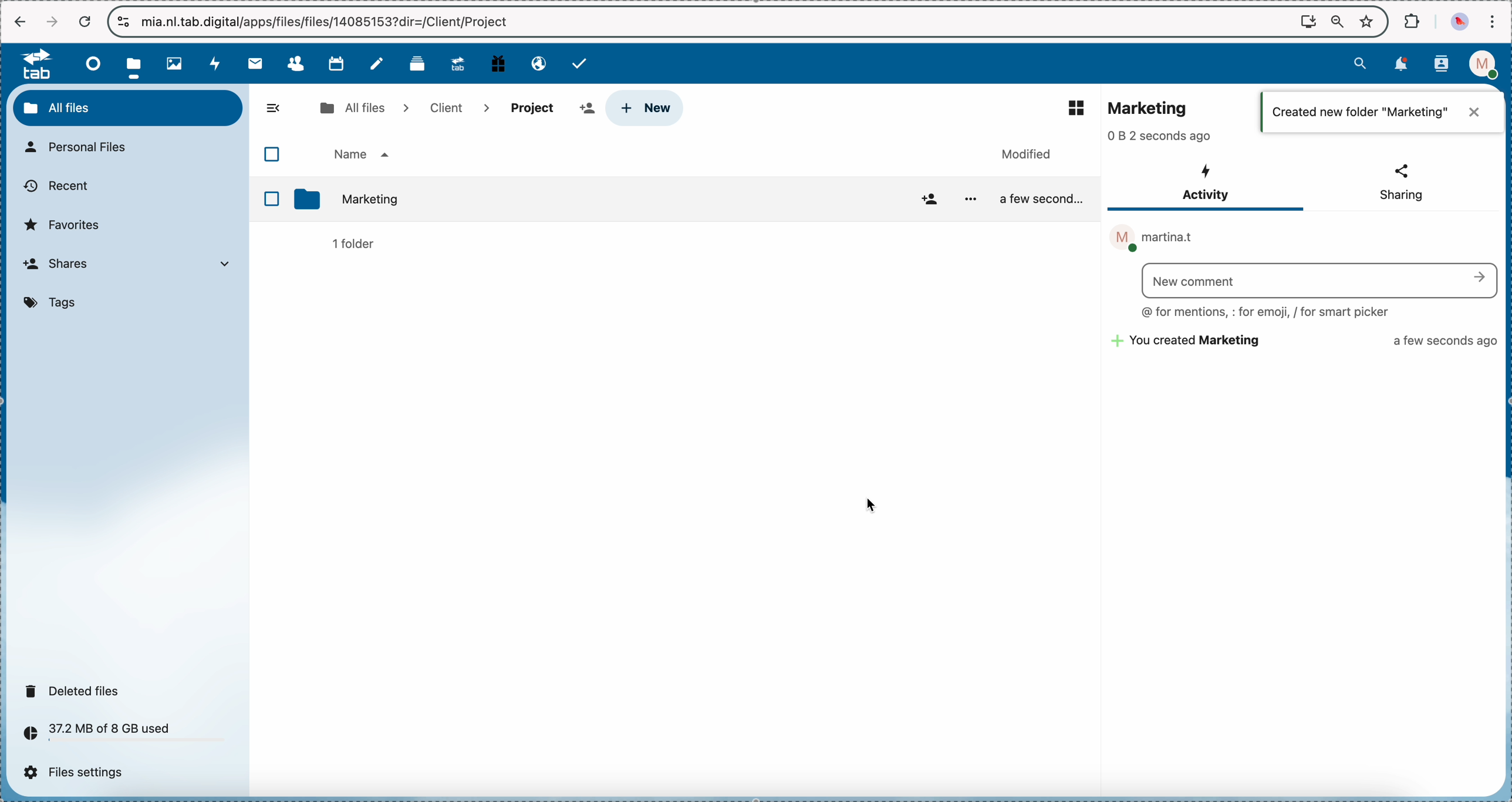 This screenshot has width=1512, height=802. I want to click on profile, so click(1487, 65).